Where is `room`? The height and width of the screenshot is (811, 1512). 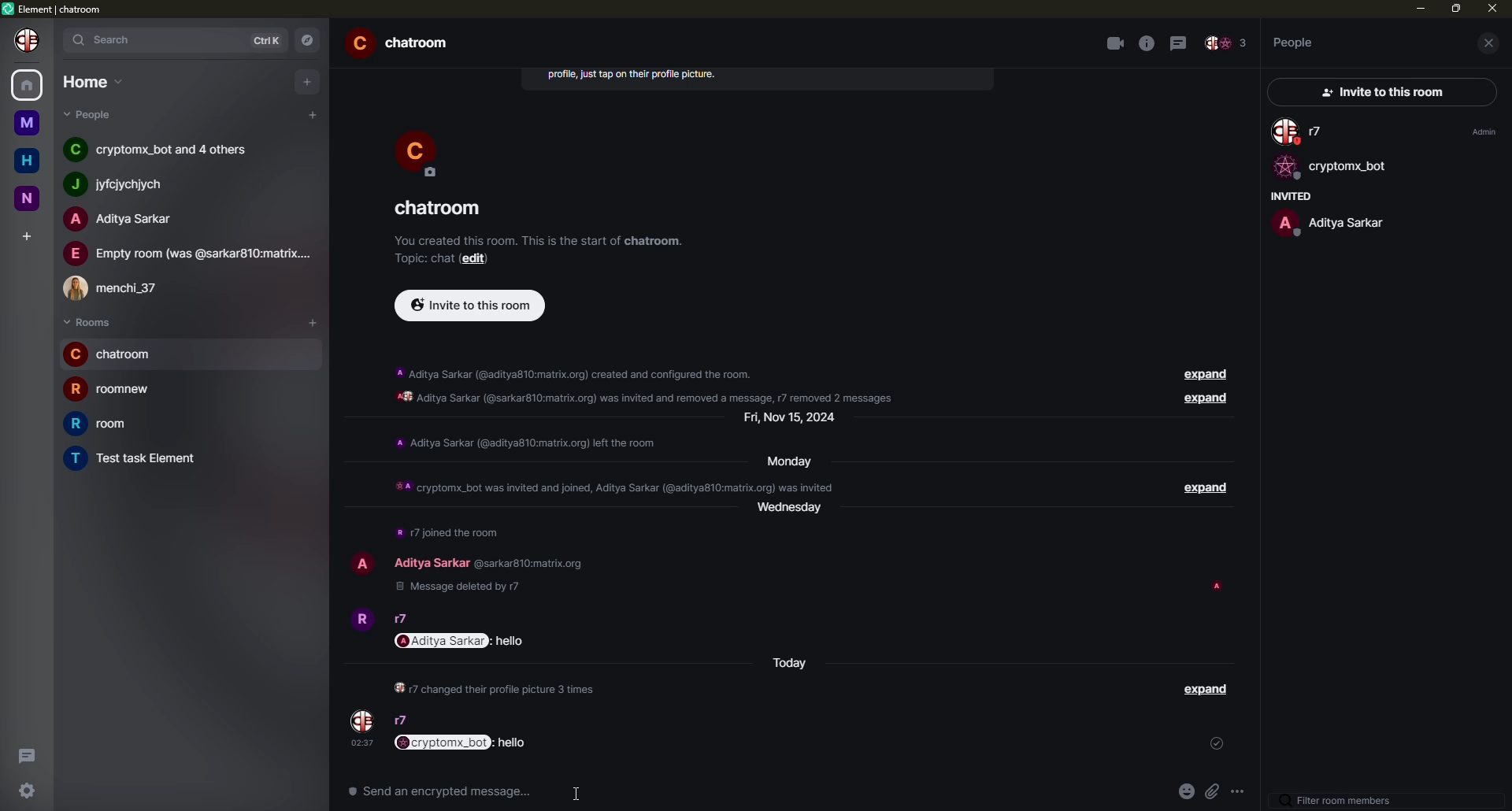 room is located at coordinates (439, 207).